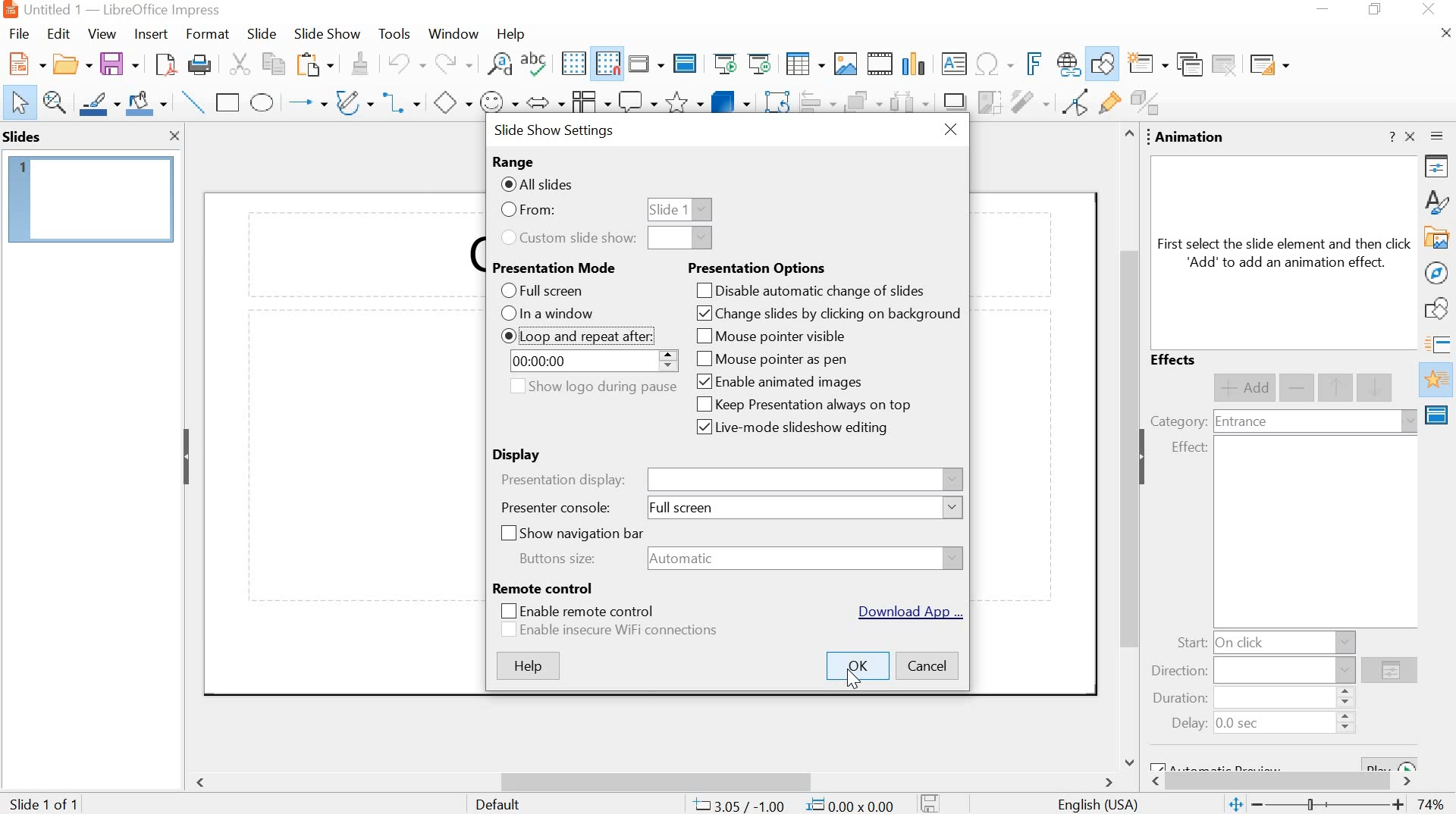 The image size is (1456, 814). I want to click on scroll bar, so click(1125, 447).